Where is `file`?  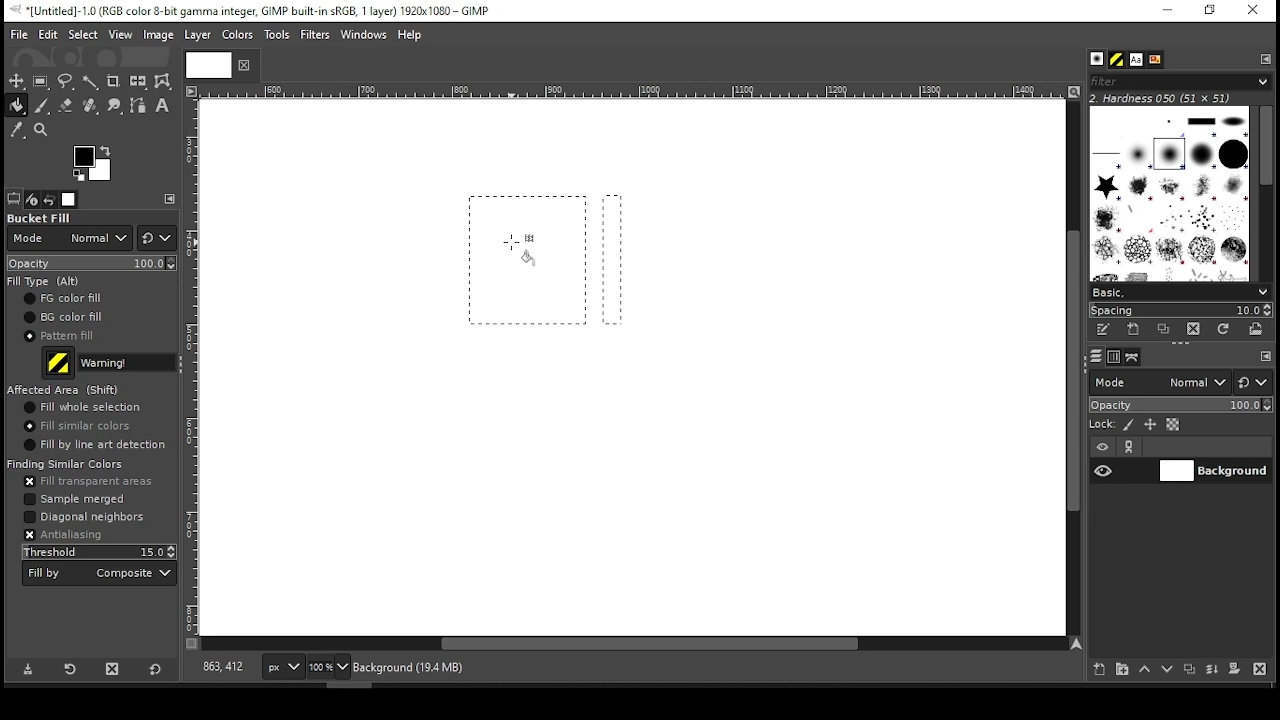
file is located at coordinates (19, 35).